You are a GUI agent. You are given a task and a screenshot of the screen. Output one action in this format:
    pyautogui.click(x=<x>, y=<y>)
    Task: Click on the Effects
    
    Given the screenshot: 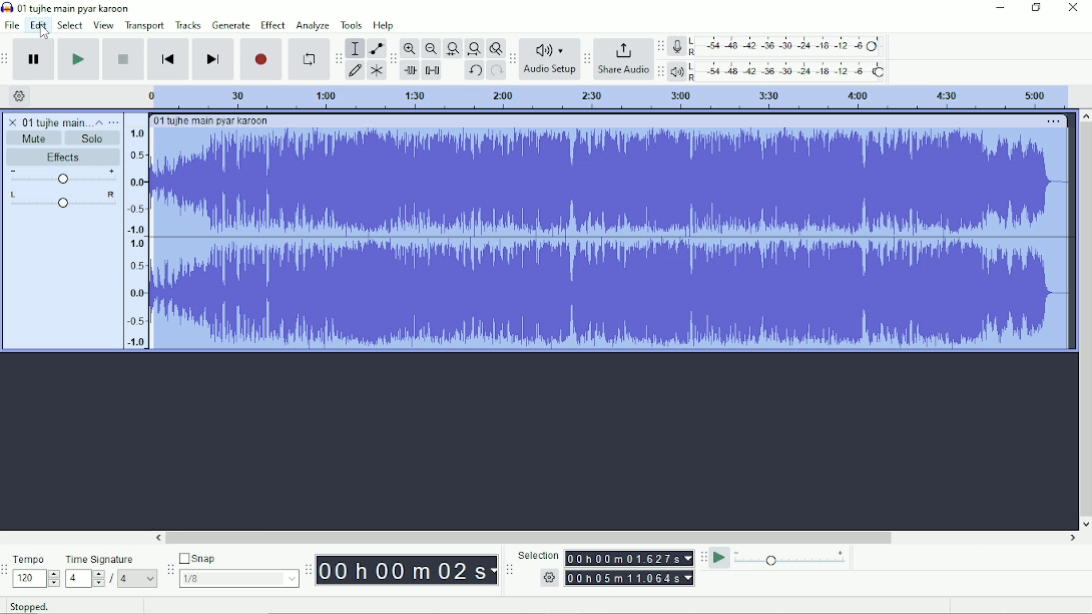 What is the action you would take?
    pyautogui.click(x=67, y=157)
    